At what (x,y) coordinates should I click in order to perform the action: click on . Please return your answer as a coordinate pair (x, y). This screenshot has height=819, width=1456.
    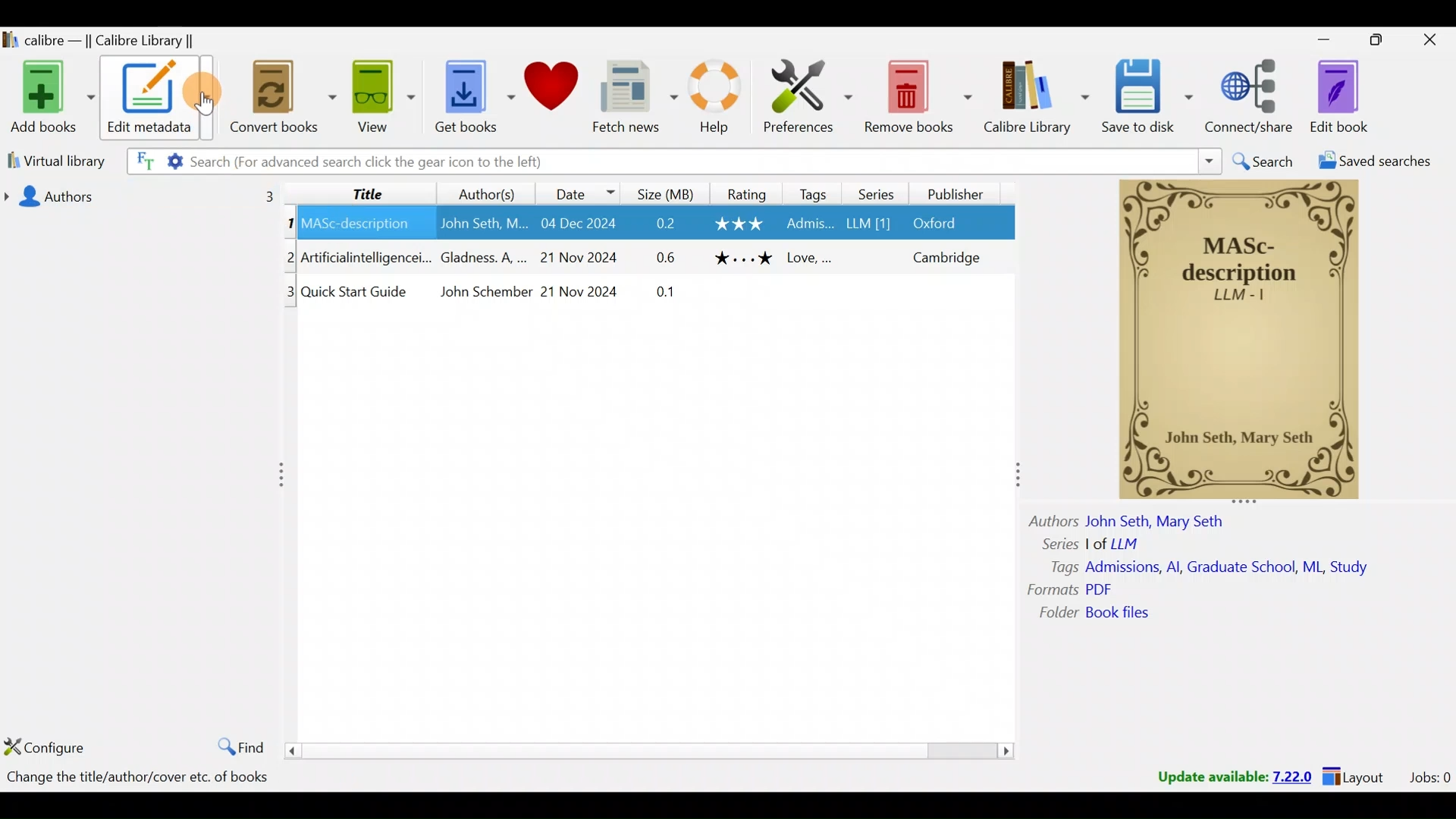
    Looking at the image, I should click on (363, 224).